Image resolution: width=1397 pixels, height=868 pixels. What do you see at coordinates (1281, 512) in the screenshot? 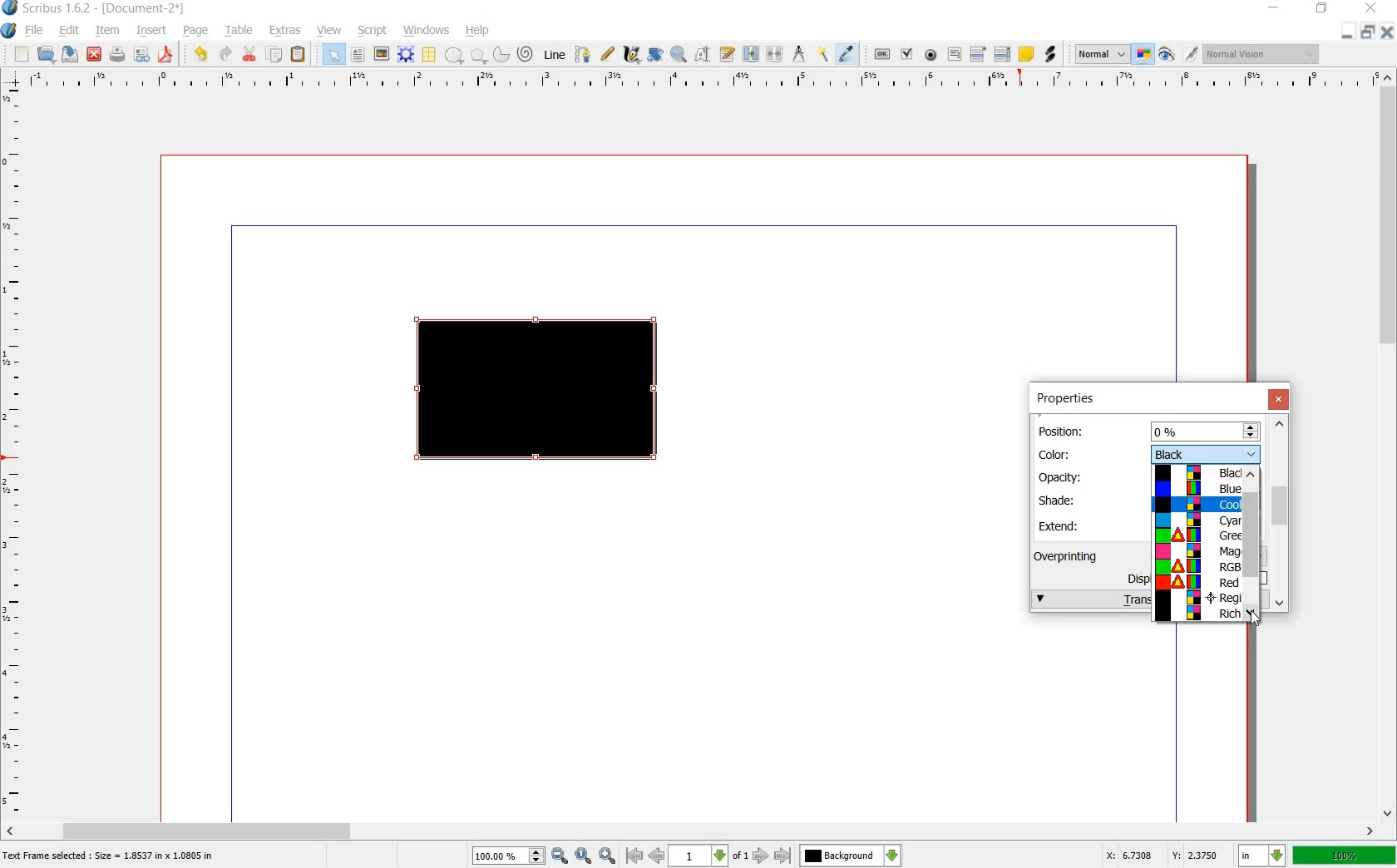
I see `scrollbar` at bounding box center [1281, 512].